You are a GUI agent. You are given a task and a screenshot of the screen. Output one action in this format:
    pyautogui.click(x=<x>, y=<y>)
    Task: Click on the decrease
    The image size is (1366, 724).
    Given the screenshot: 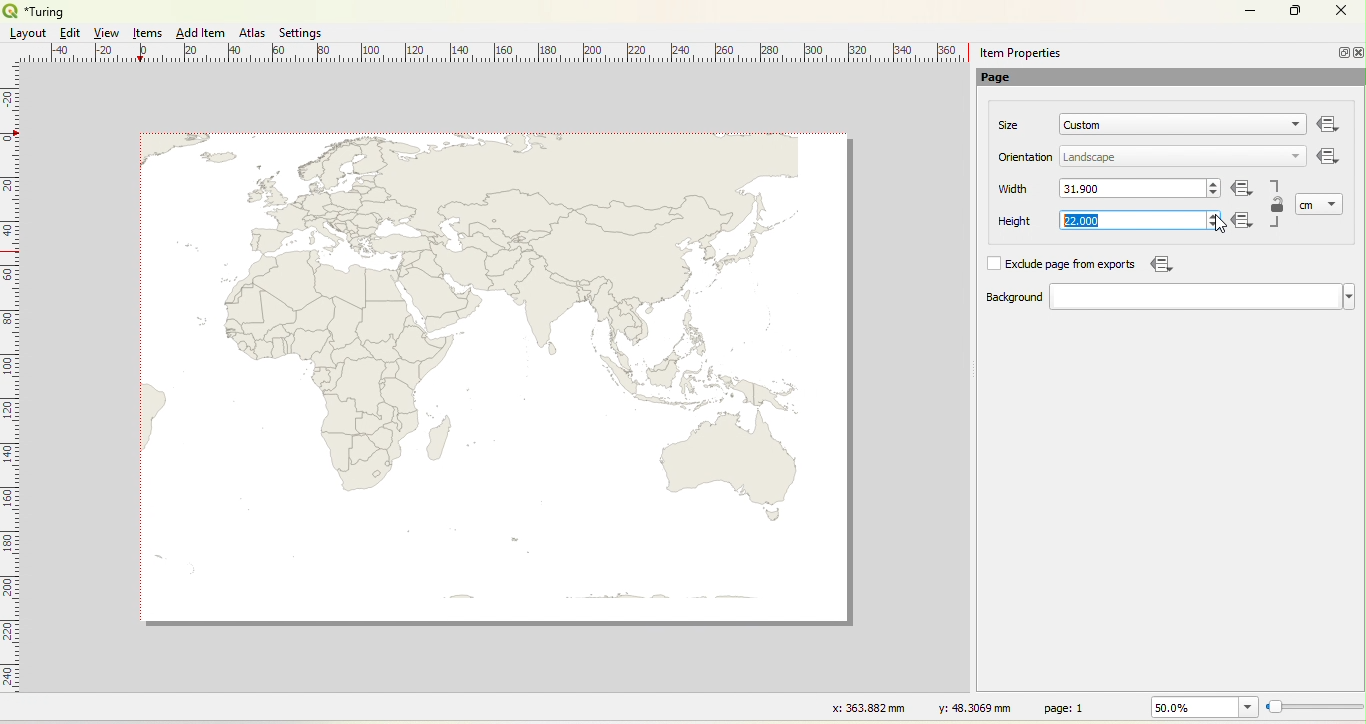 What is the action you would take?
    pyautogui.click(x=1211, y=226)
    